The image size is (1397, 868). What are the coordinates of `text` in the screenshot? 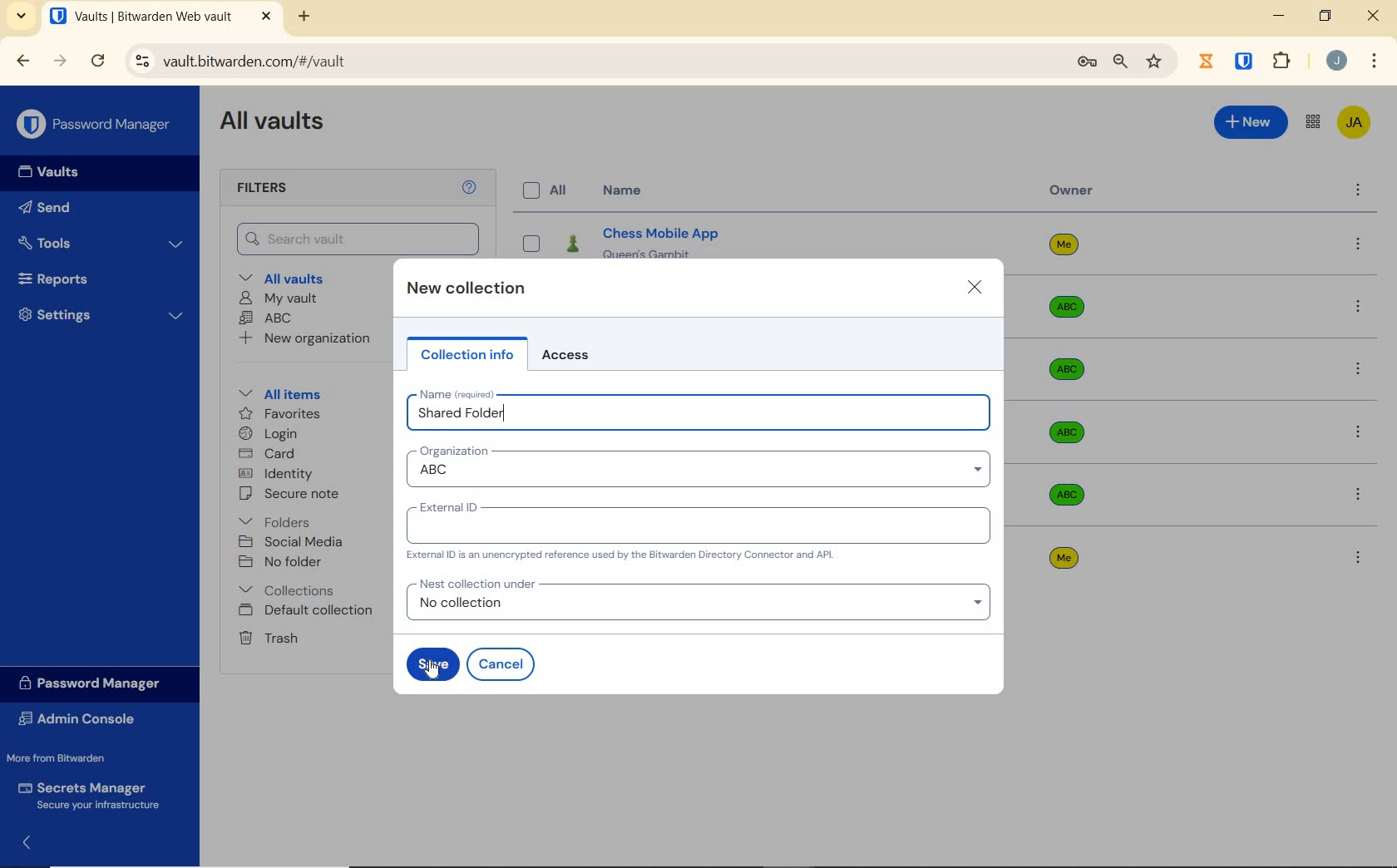 It's located at (622, 556).